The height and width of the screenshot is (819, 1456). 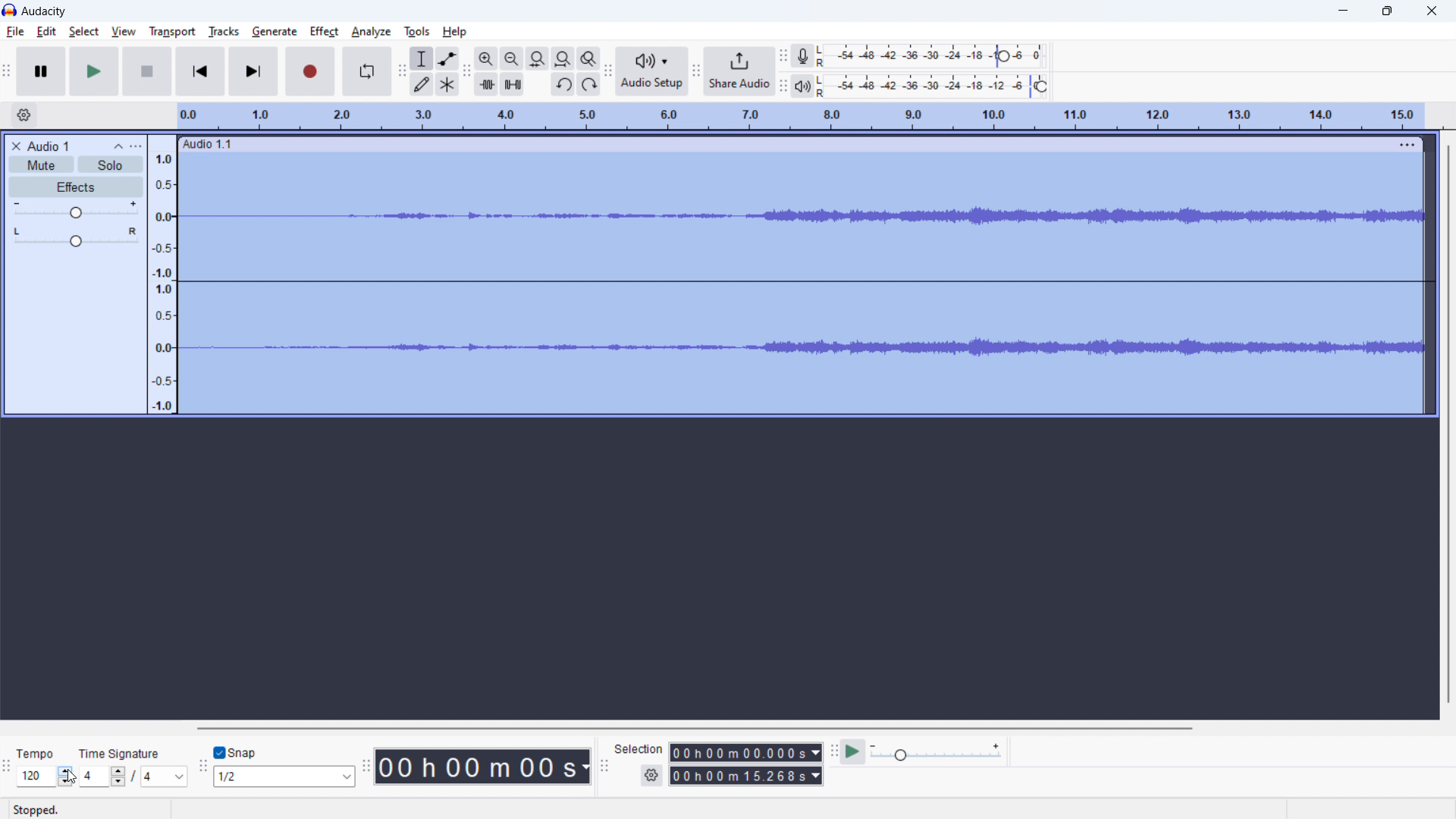 I want to click on fit project to width, so click(x=563, y=58).